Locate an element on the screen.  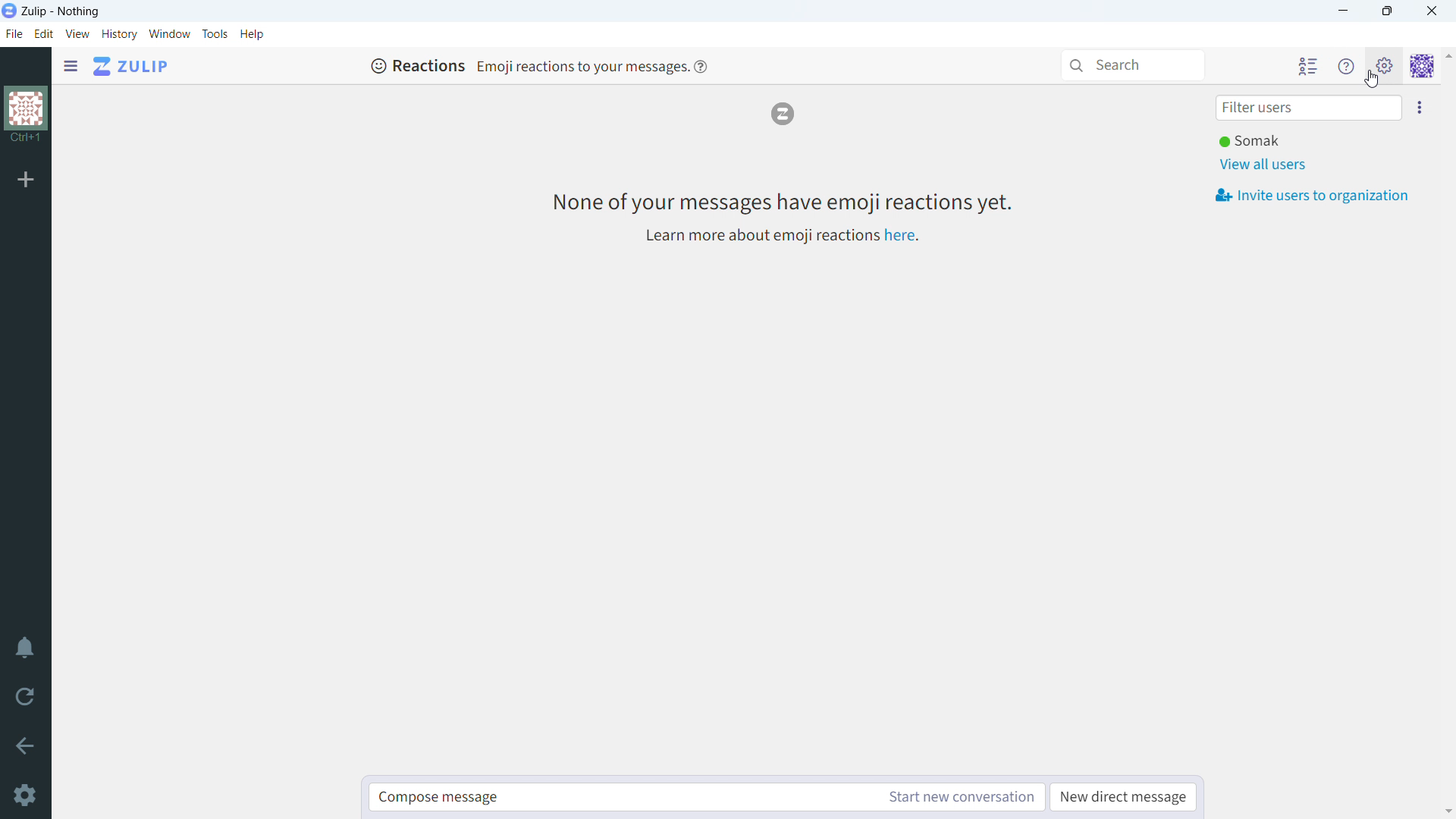
Reactions is located at coordinates (417, 65).